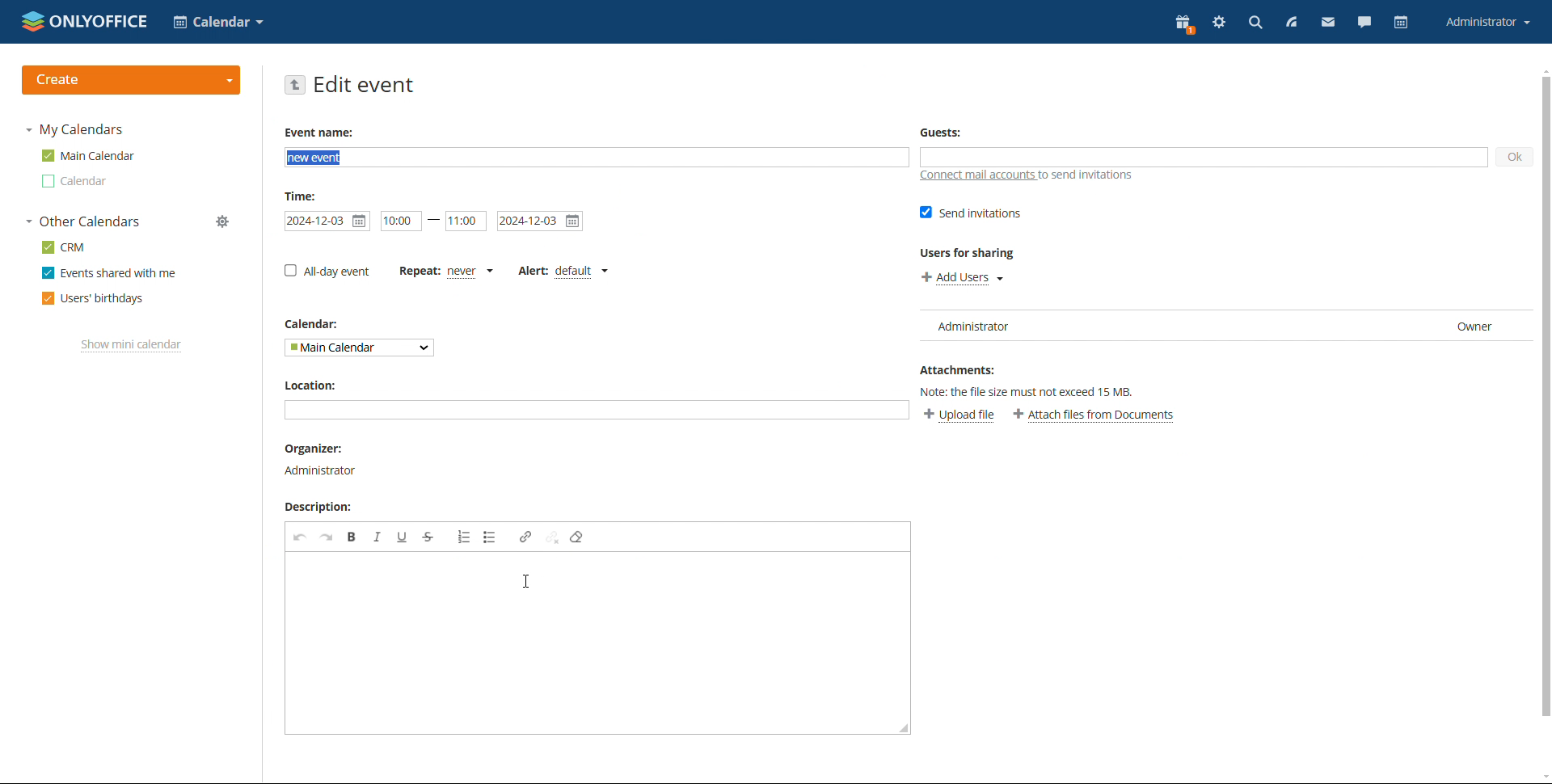 Image resolution: width=1552 pixels, height=784 pixels. What do you see at coordinates (64, 247) in the screenshot?
I see `crm` at bounding box center [64, 247].